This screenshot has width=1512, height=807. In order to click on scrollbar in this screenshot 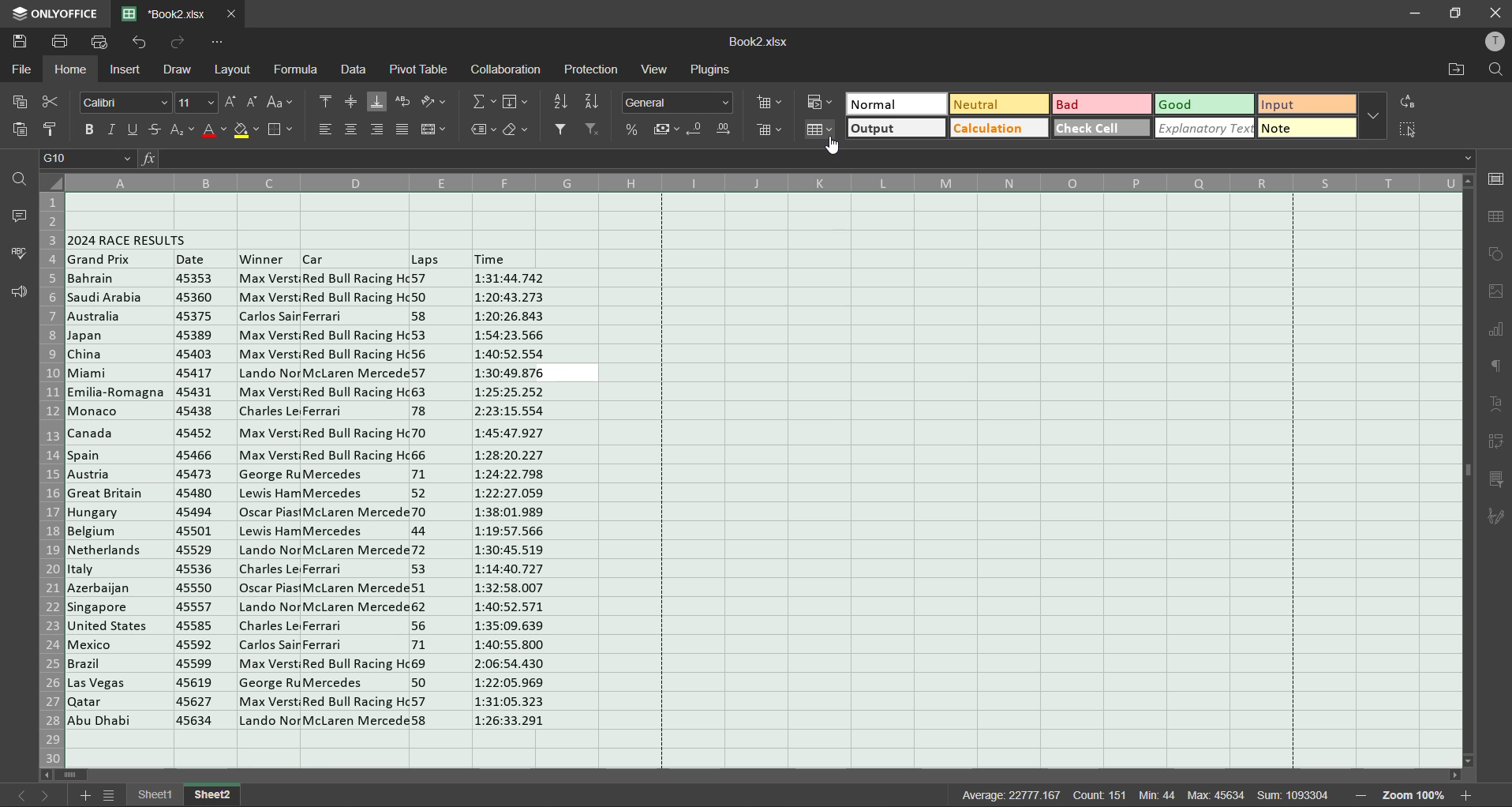, I will do `click(767, 775)`.